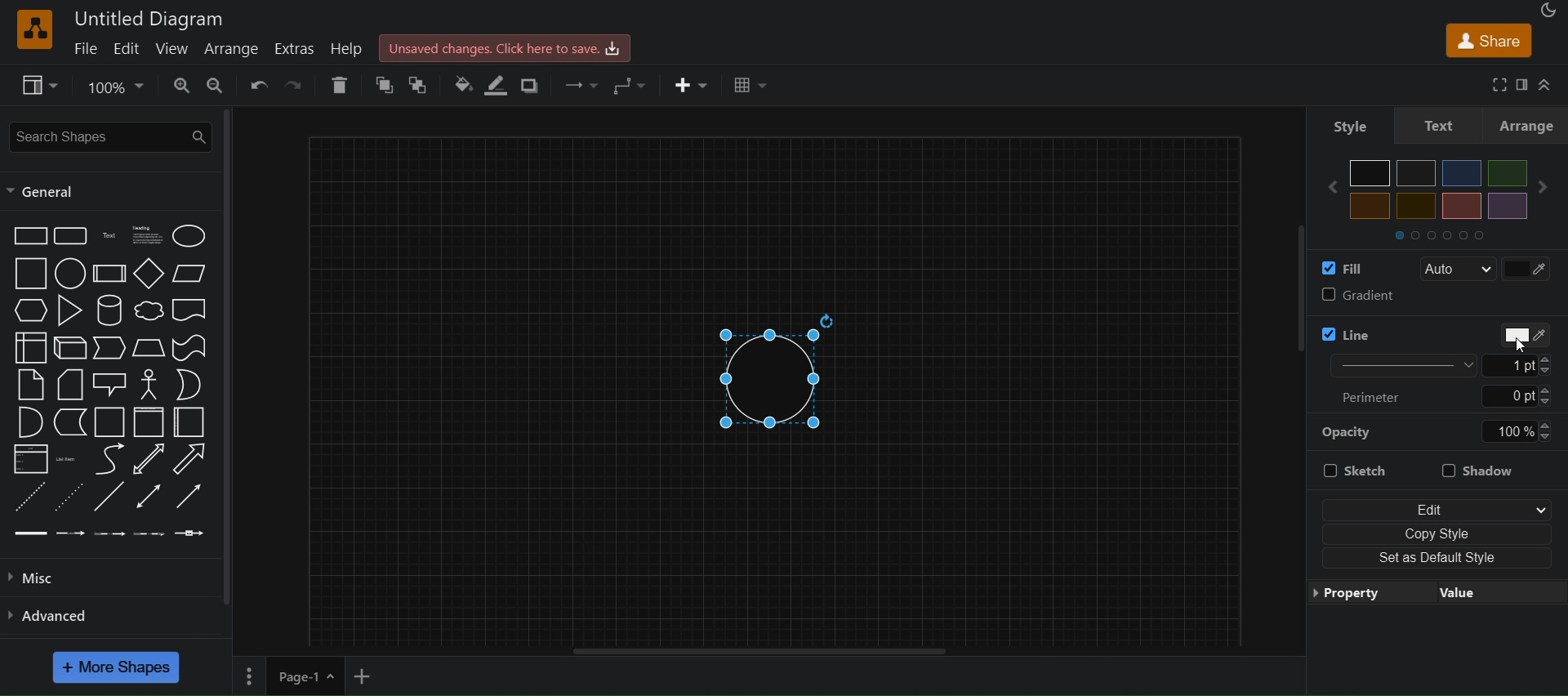 The width and height of the screenshot is (1568, 696). What do you see at coordinates (1436, 505) in the screenshot?
I see `edit` at bounding box center [1436, 505].